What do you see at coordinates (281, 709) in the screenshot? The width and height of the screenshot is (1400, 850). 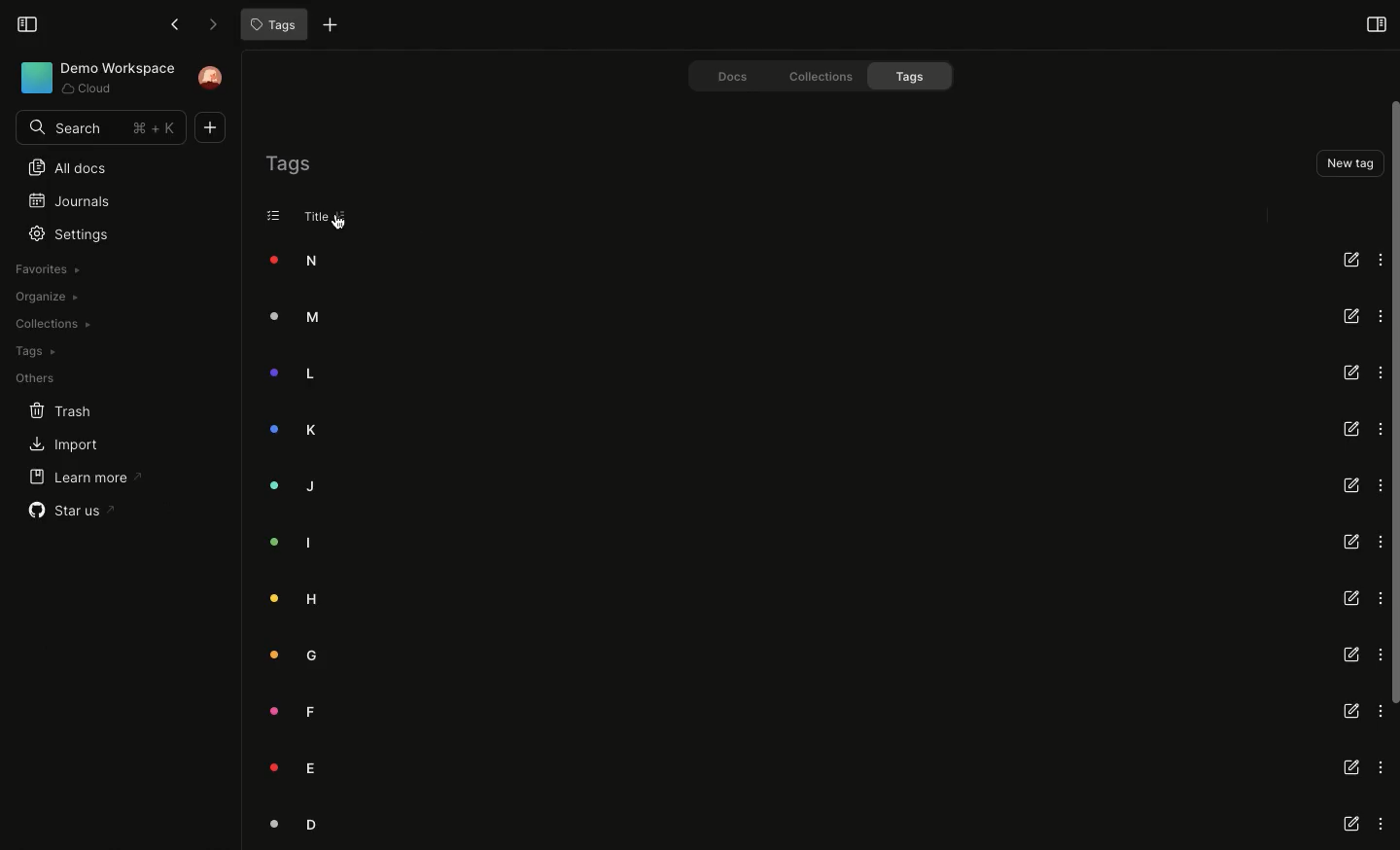 I see `F` at bounding box center [281, 709].